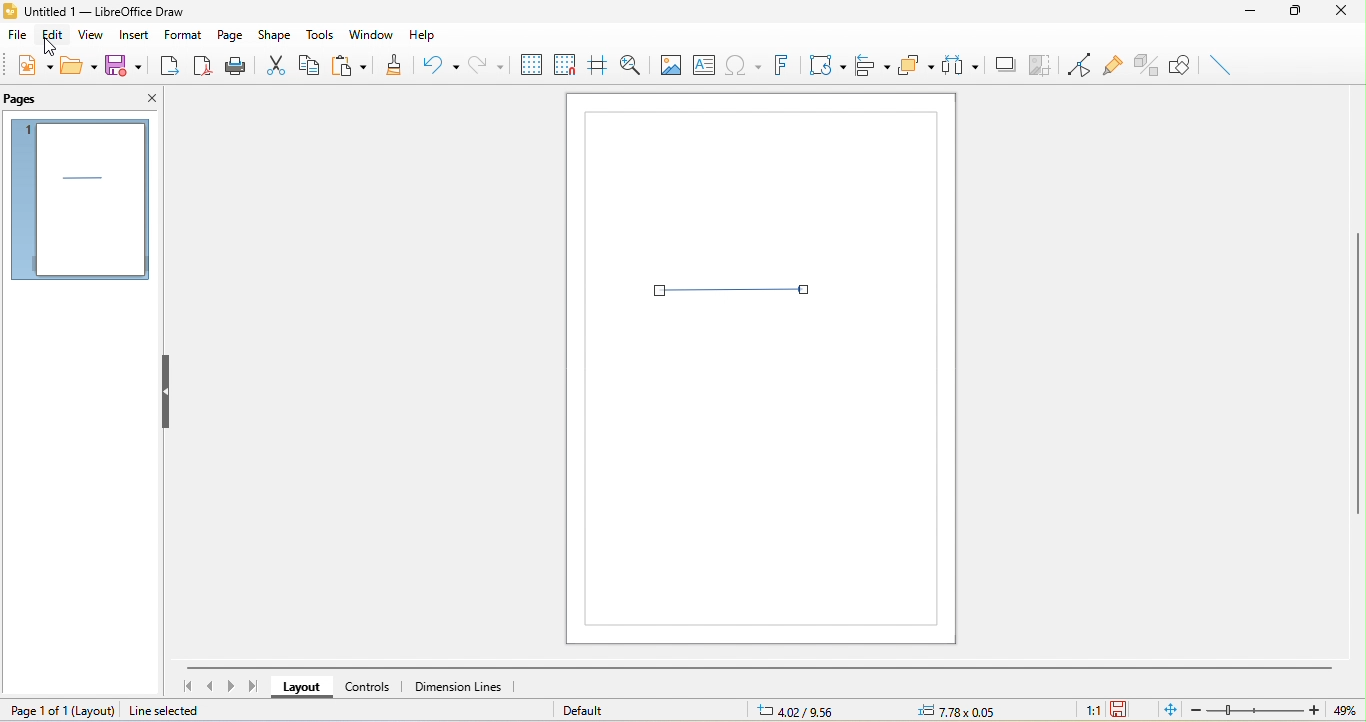 This screenshot has width=1366, height=722. I want to click on format, so click(184, 33).